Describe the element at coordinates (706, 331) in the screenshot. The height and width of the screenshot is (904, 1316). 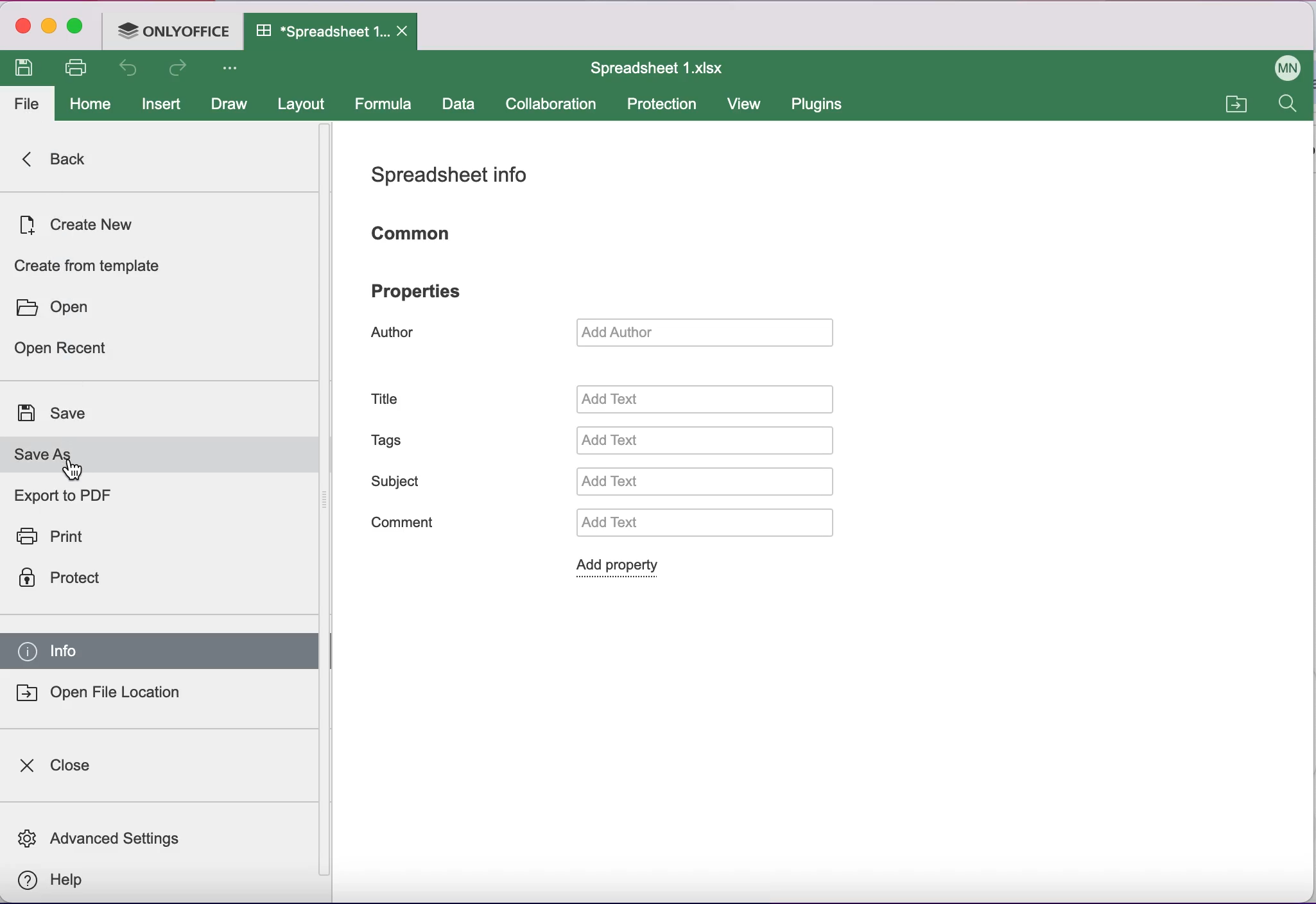
I see `add author` at that location.